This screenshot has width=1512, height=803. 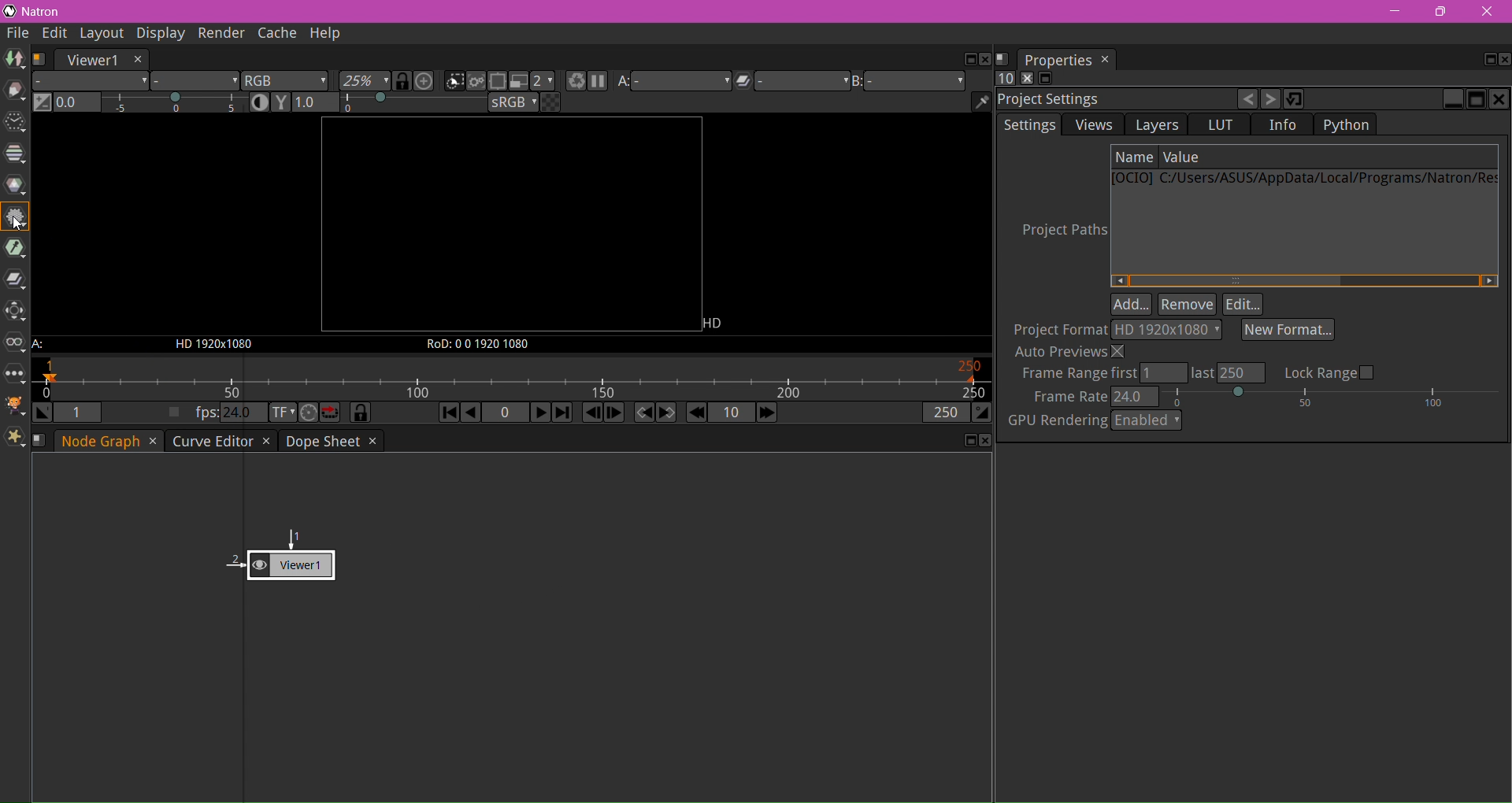 What do you see at coordinates (321, 441) in the screenshot?
I see `Dope Sheet` at bounding box center [321, 441].